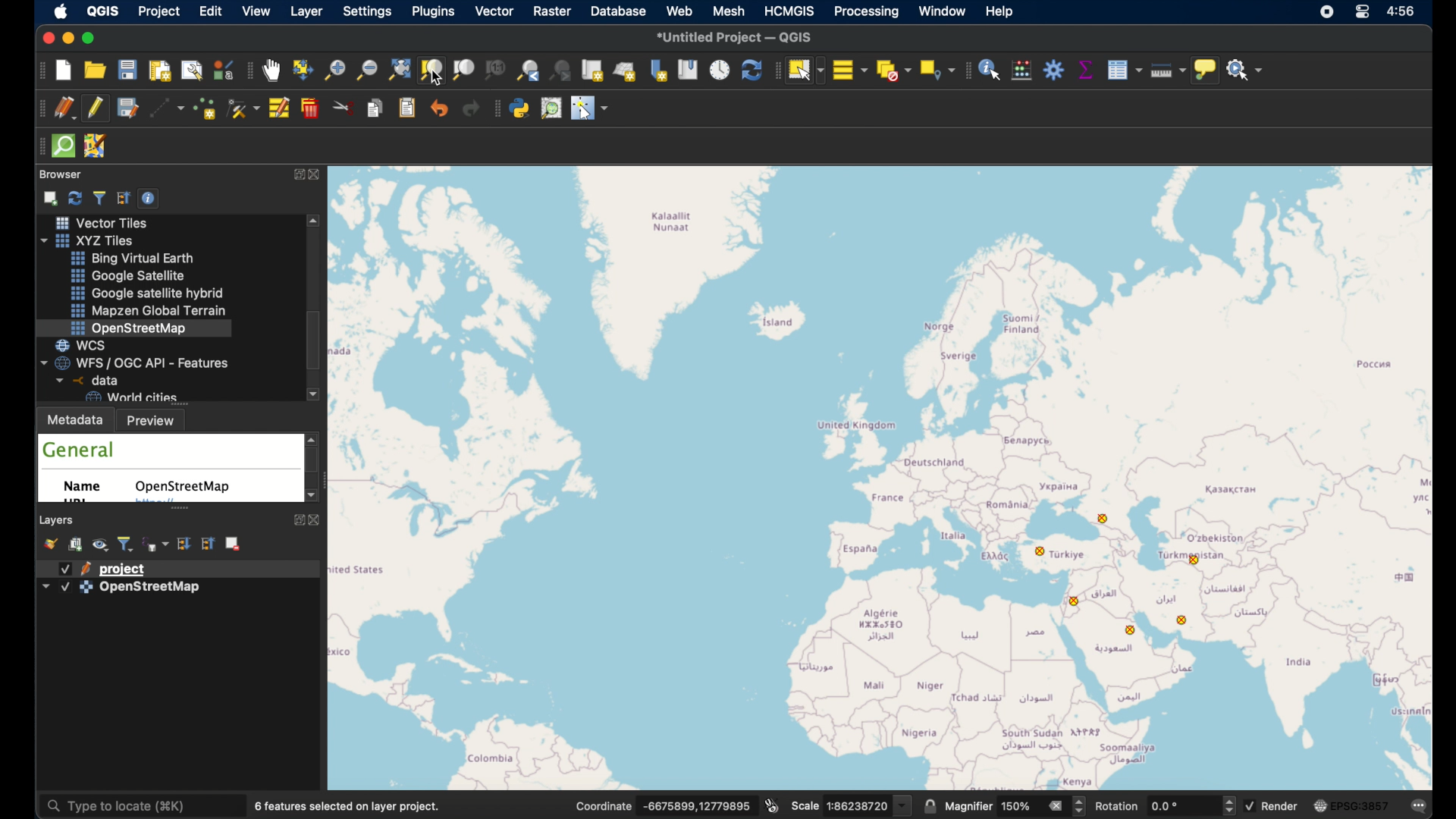  Describe the element at coordinates (1350, 806) in the screenshot. I see `current csr` at that location.